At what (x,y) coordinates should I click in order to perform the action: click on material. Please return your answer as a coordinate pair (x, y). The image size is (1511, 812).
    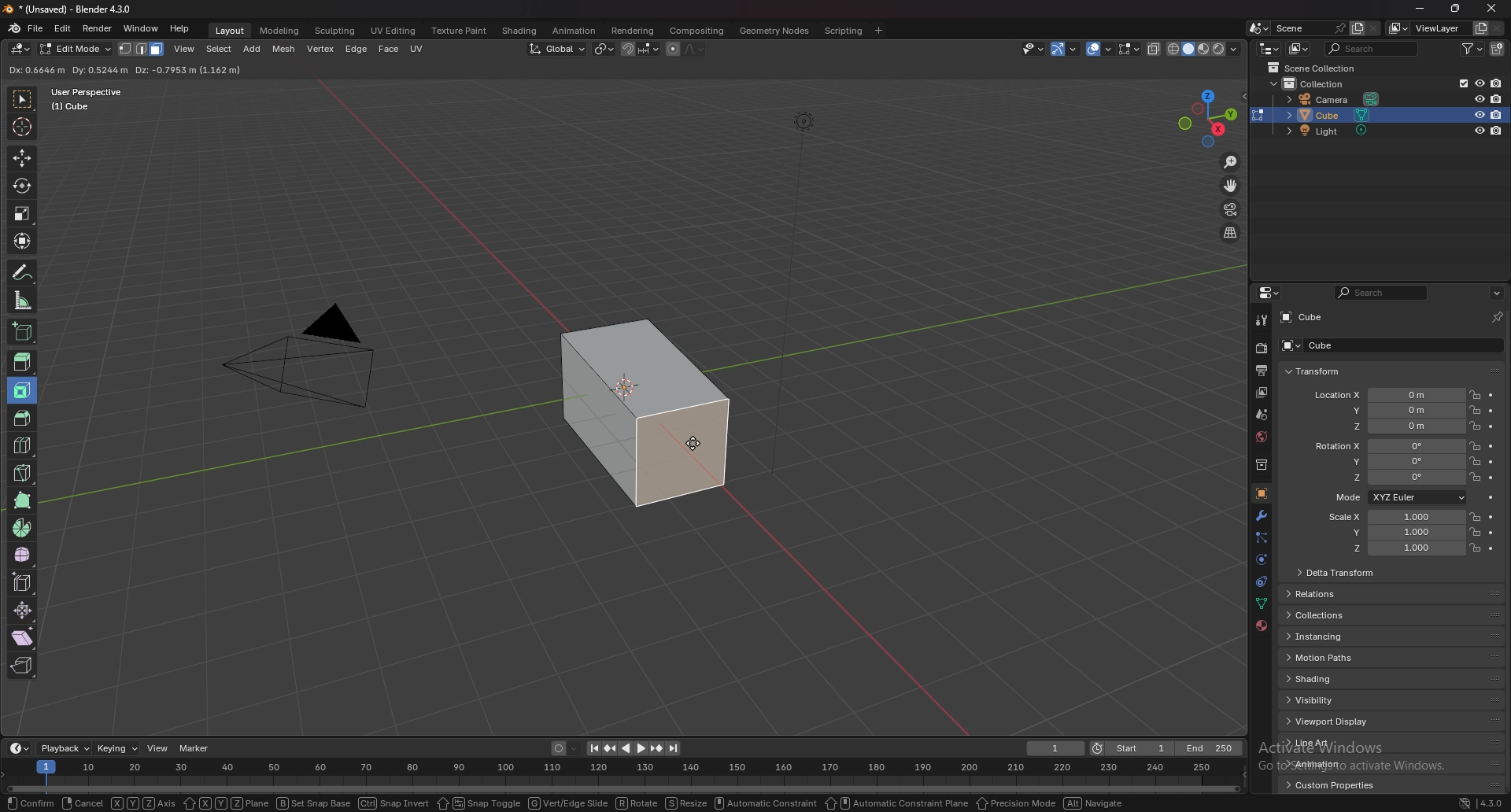
    Looking at the image, I should click on (1262, 626).